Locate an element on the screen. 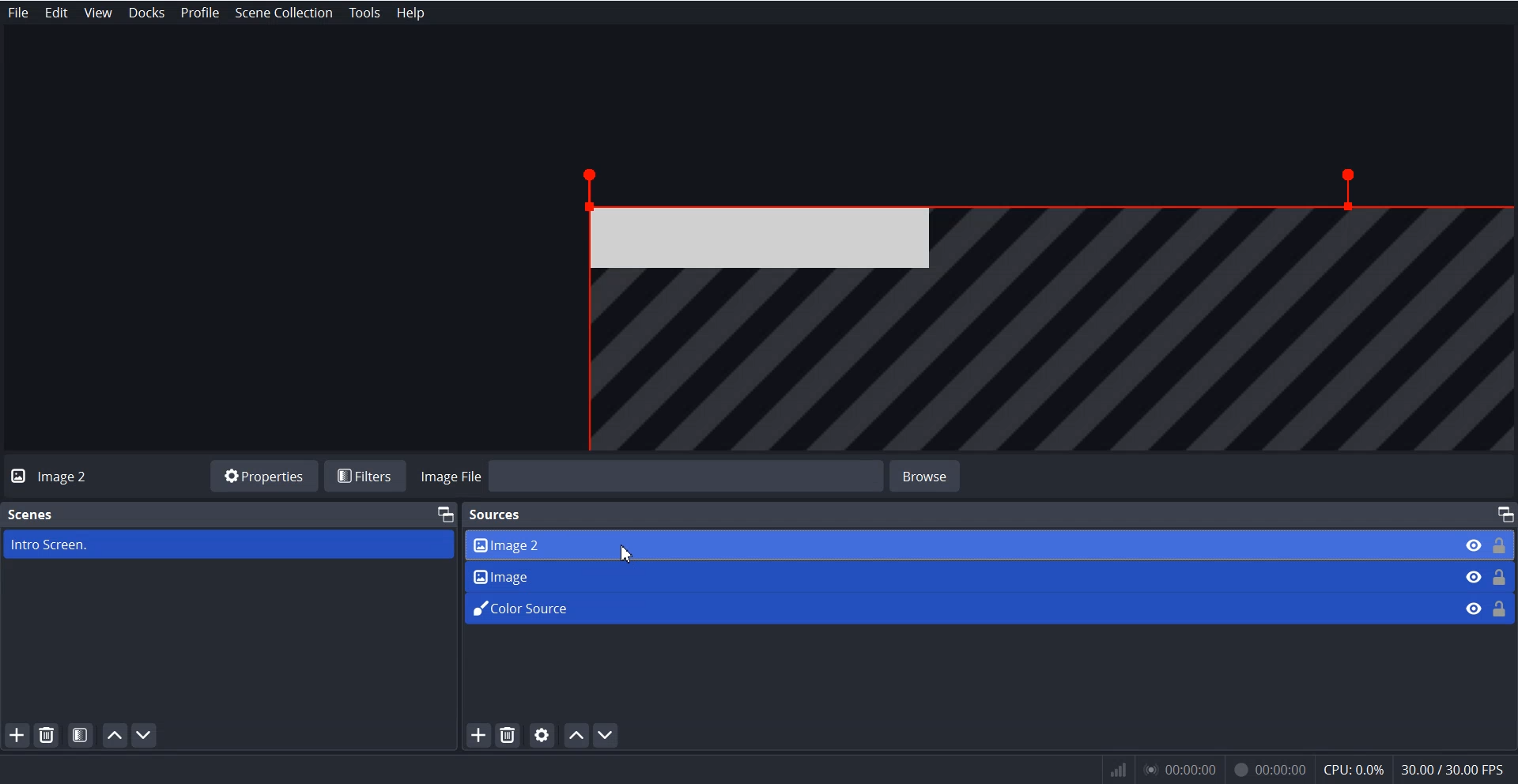 This screenshot has height=784, width=1518. Help is located at coordinates (408, 13).